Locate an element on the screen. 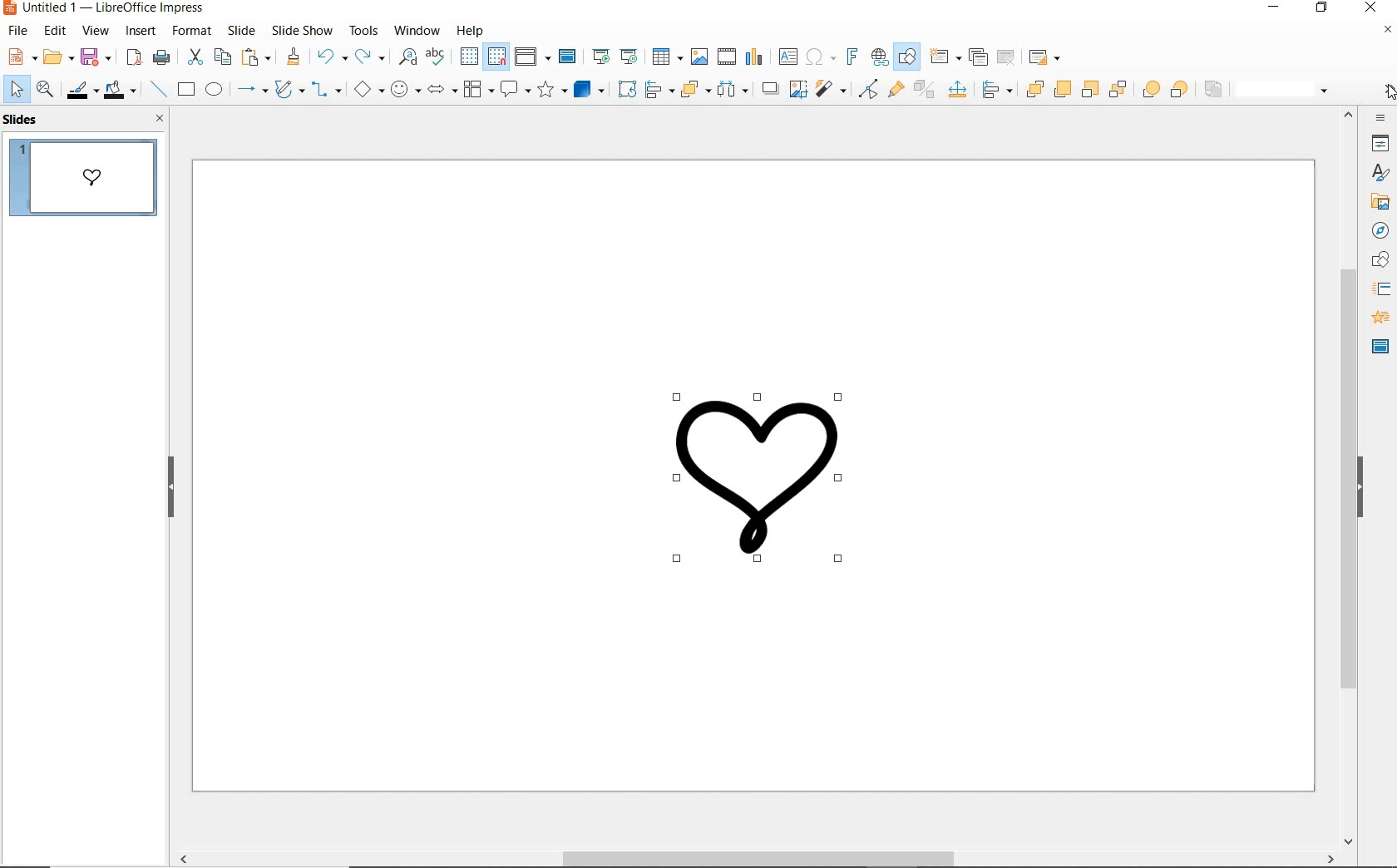  slide is located at coordinates (241, 30).